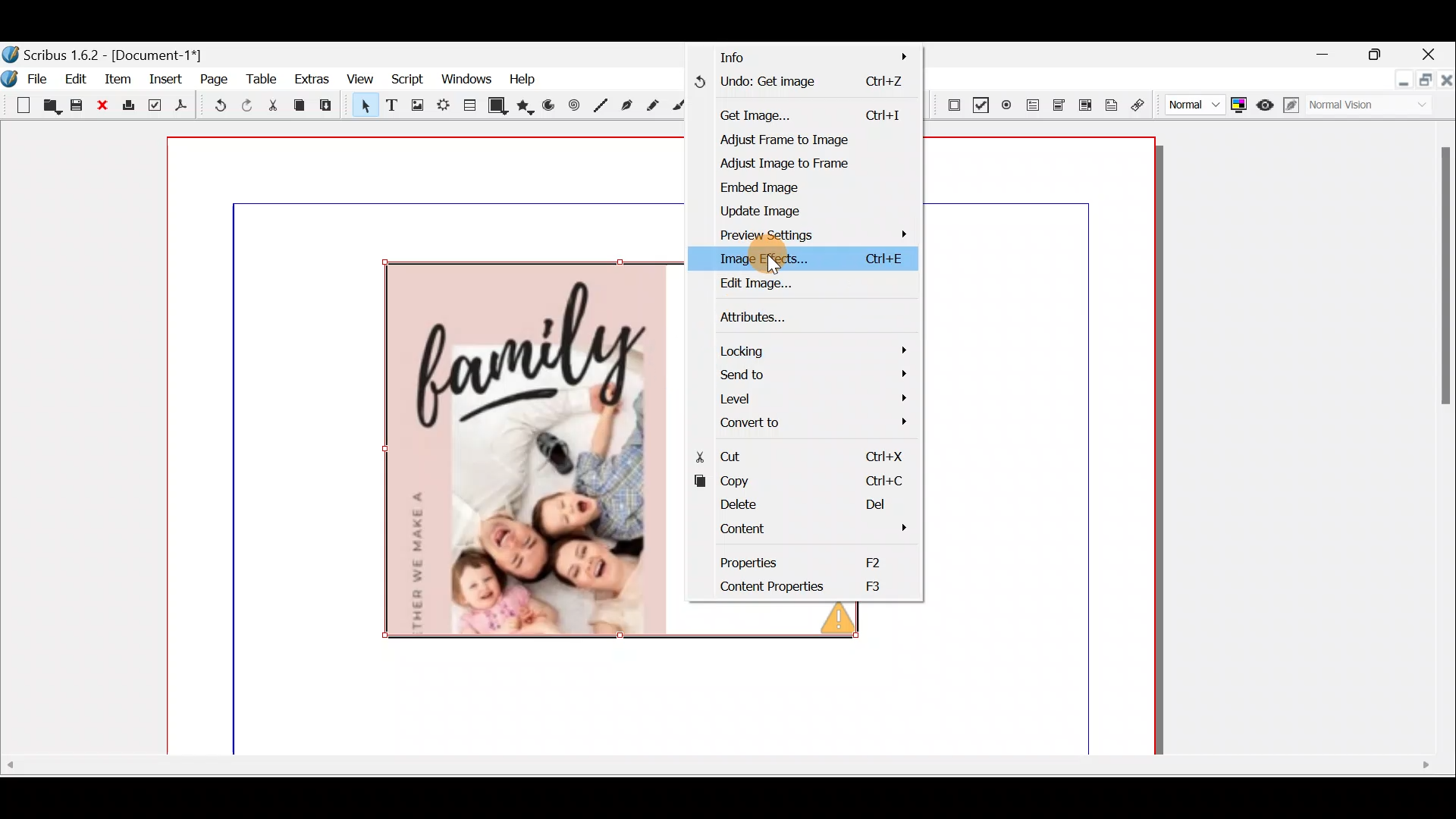 This screenshot has height=819, width=1456. What do you see at coordinates (679, 108) in the screenshot?
I see `Calligraphic line` at bounding box center [679, 108].